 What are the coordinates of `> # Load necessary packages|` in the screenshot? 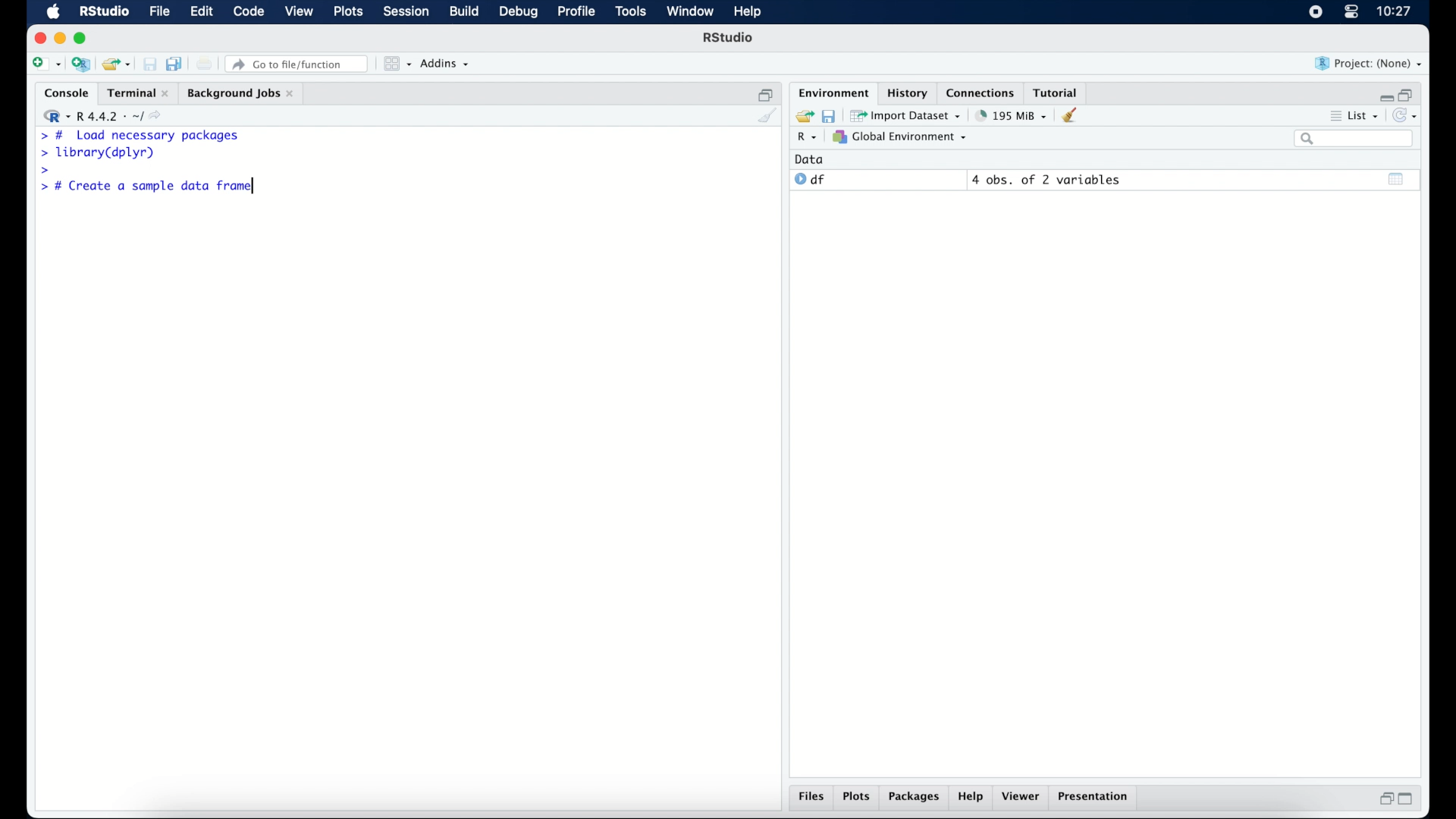 It's located at (140, 136).